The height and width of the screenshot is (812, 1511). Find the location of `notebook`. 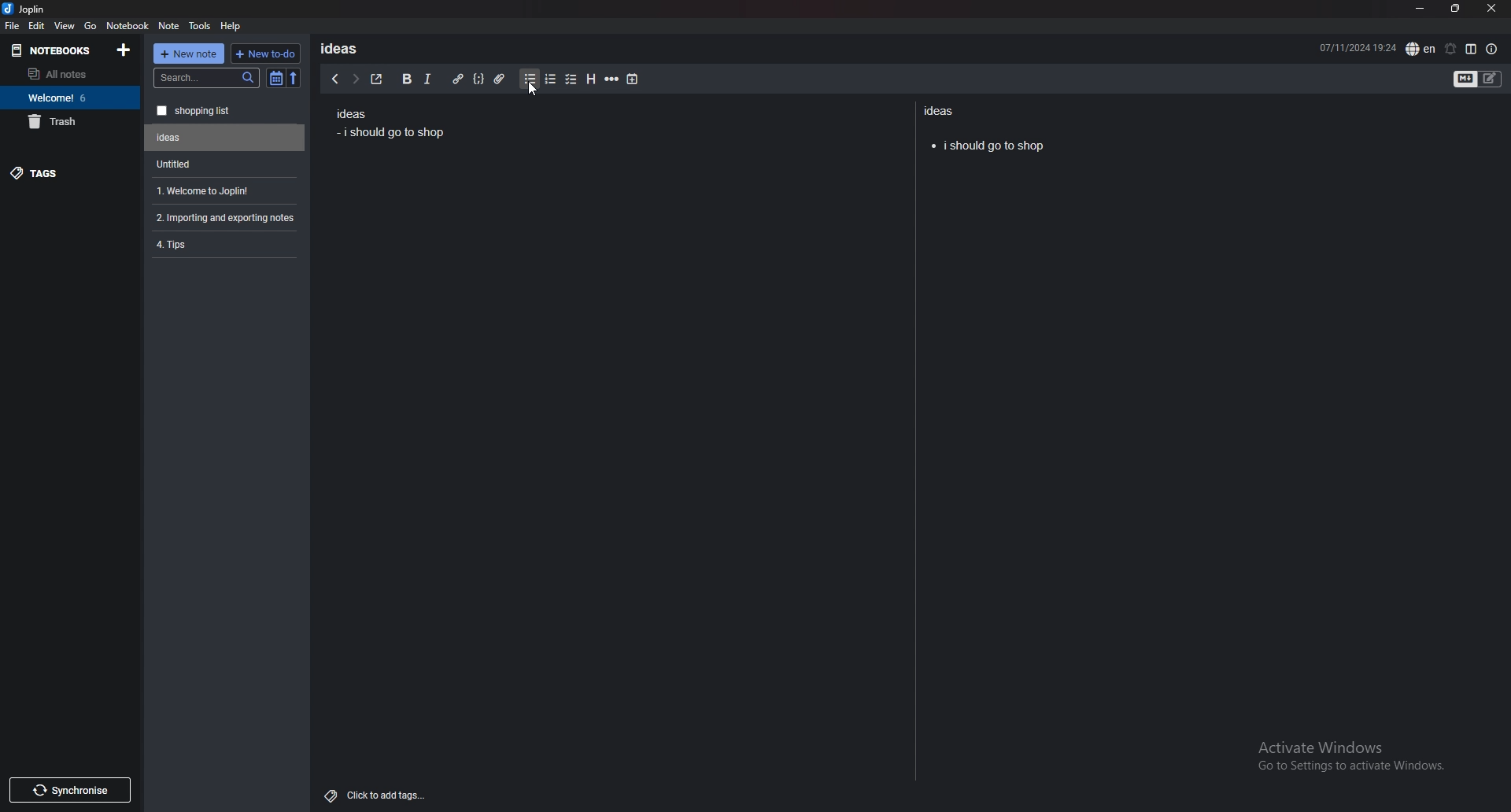

notebook is located at coordinates (127, 24).